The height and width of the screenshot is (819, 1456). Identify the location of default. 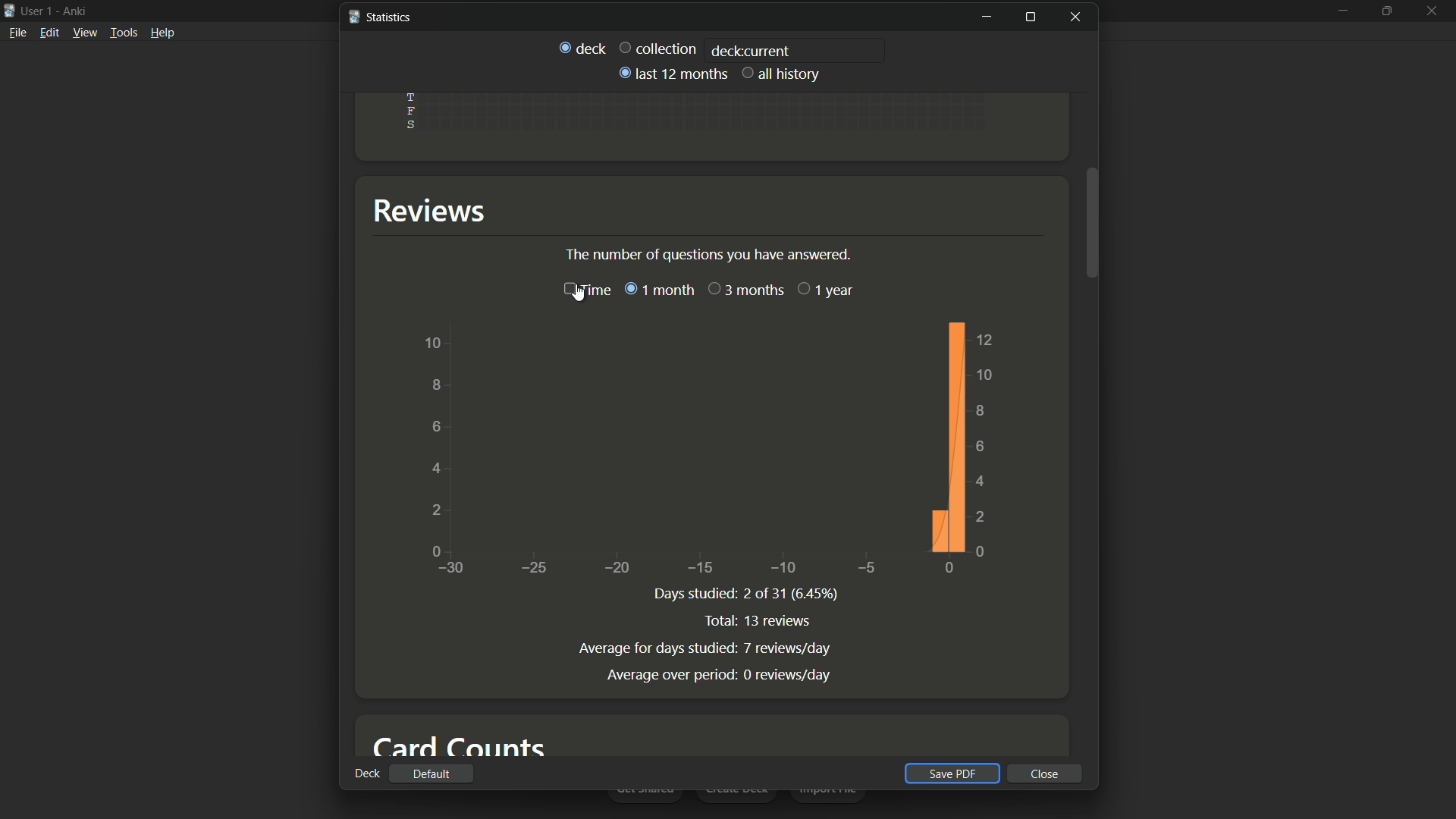
(431, 774).